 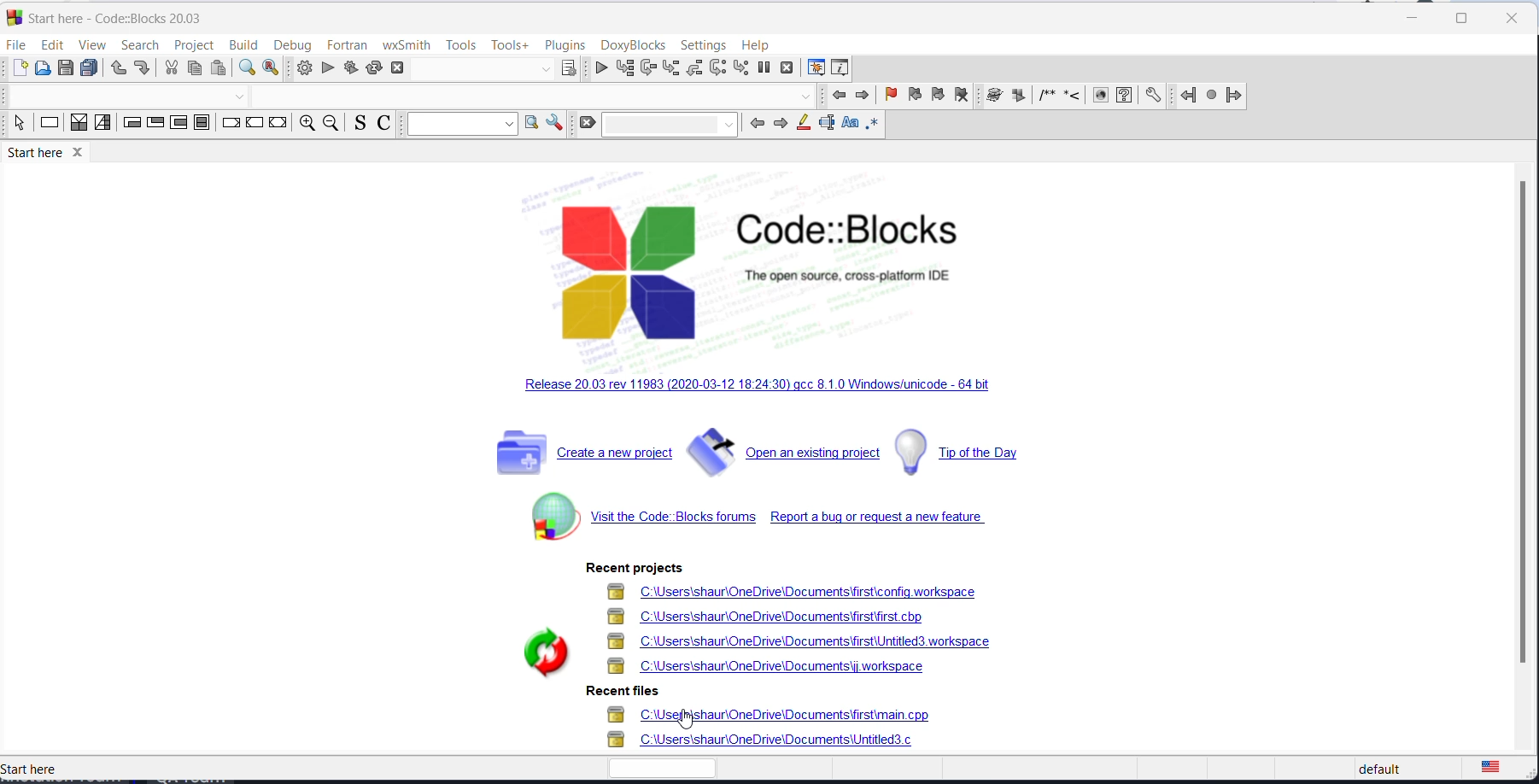 What do you see at coordinates (1186, 97) in the screenshot?
I see `jump previous` at bounding box center [1186, 97].